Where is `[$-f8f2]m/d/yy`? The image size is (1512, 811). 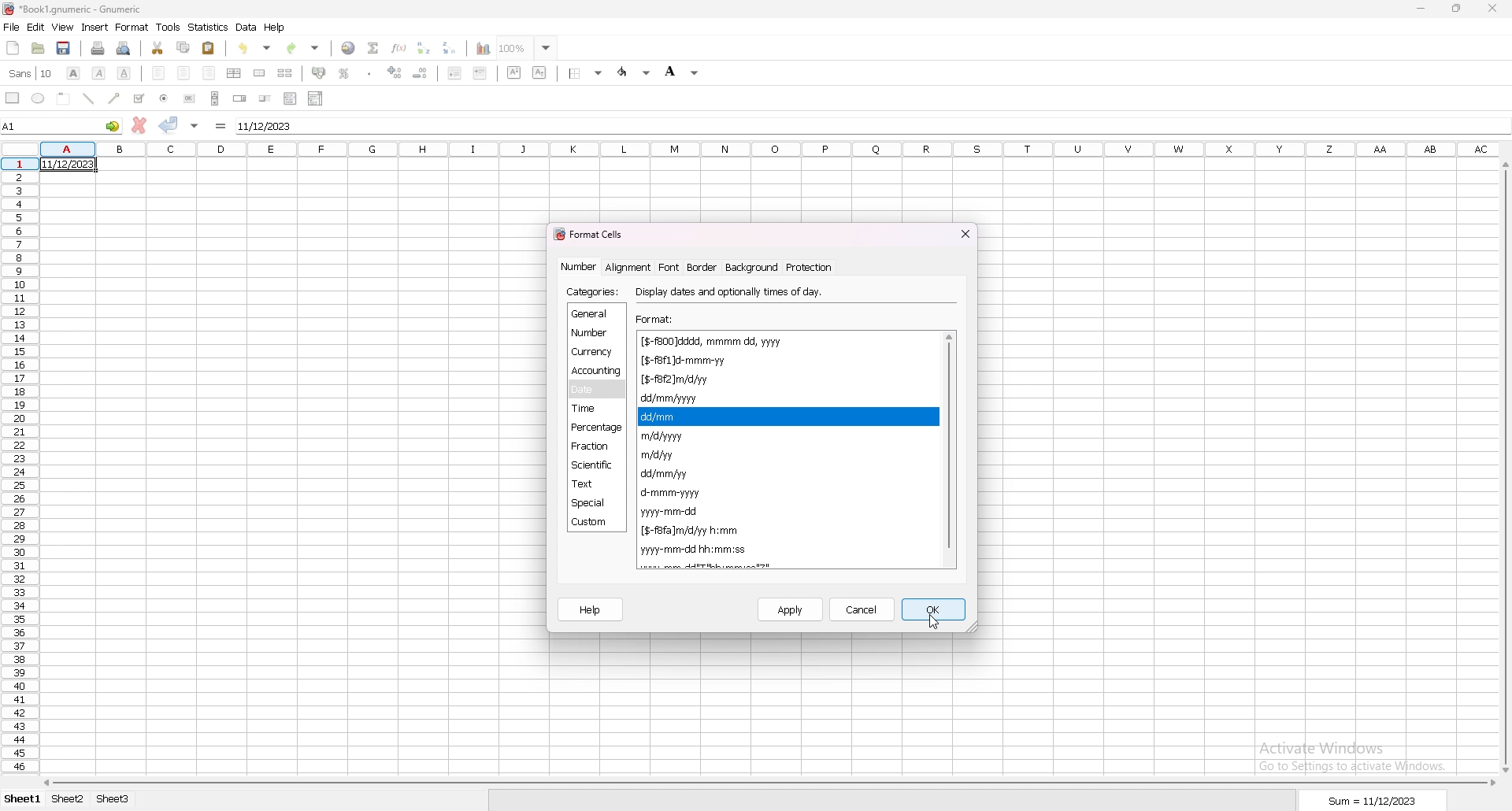
[$-f8f2]m/d/yy is located at coordinates (680, 380).